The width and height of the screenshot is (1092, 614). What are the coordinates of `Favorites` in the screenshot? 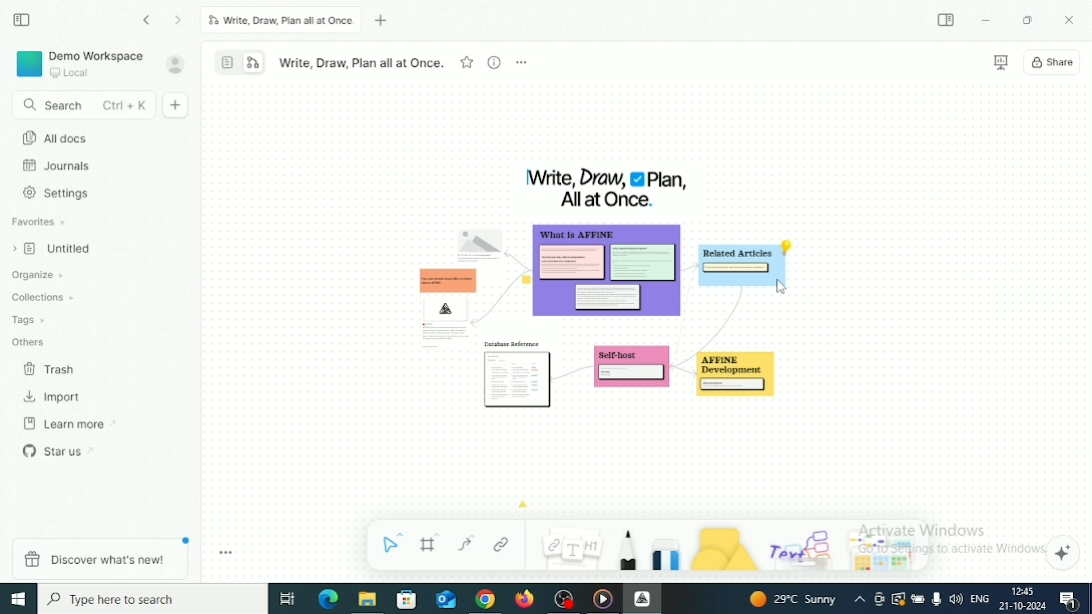 It's located at (40, 222).